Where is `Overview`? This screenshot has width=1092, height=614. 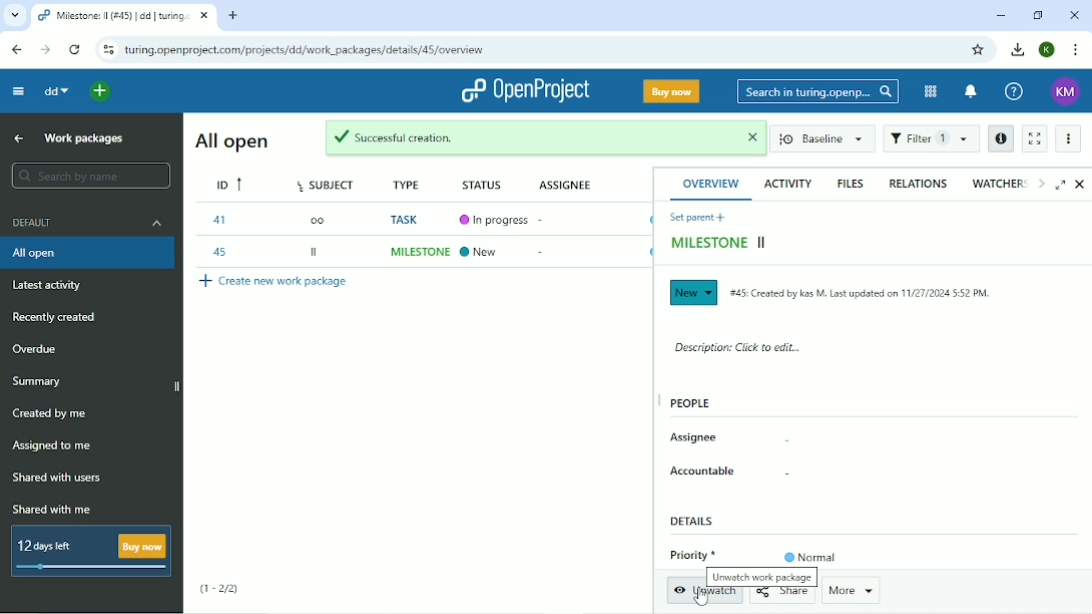
Overview is located at coordinates (713, 182).